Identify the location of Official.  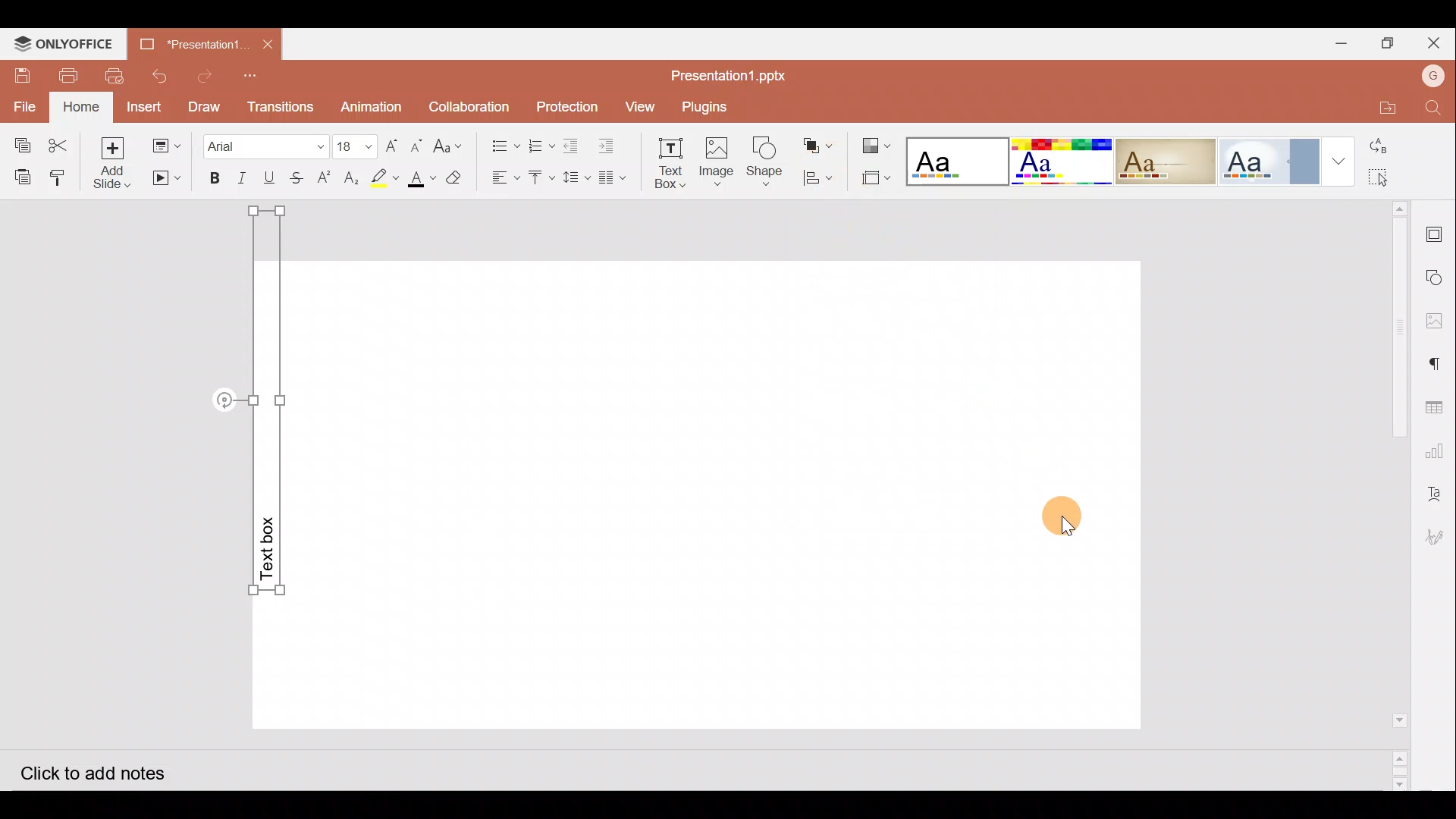
(1266, 158).